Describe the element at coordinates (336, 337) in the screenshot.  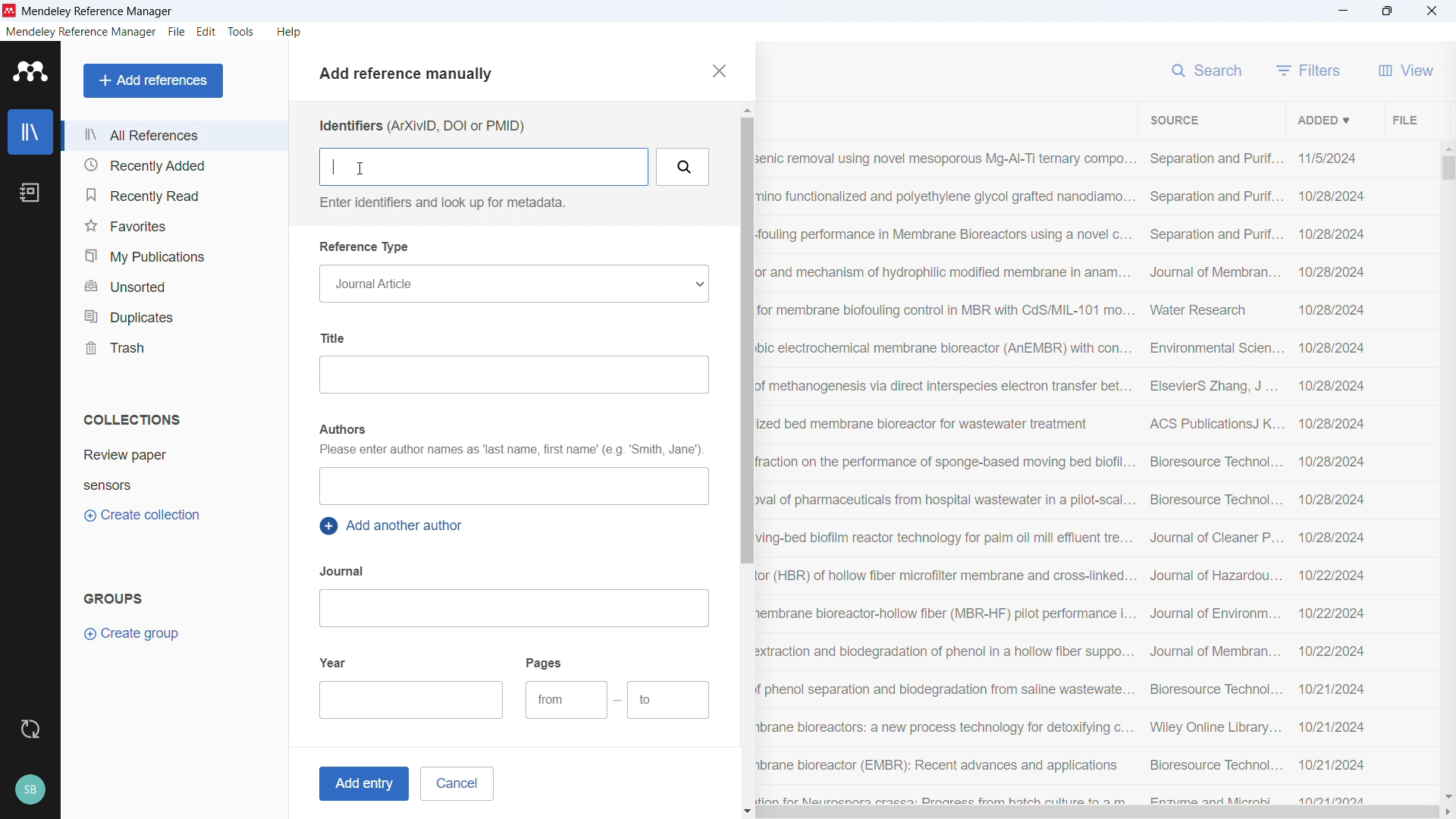
I see `Title` at that location.